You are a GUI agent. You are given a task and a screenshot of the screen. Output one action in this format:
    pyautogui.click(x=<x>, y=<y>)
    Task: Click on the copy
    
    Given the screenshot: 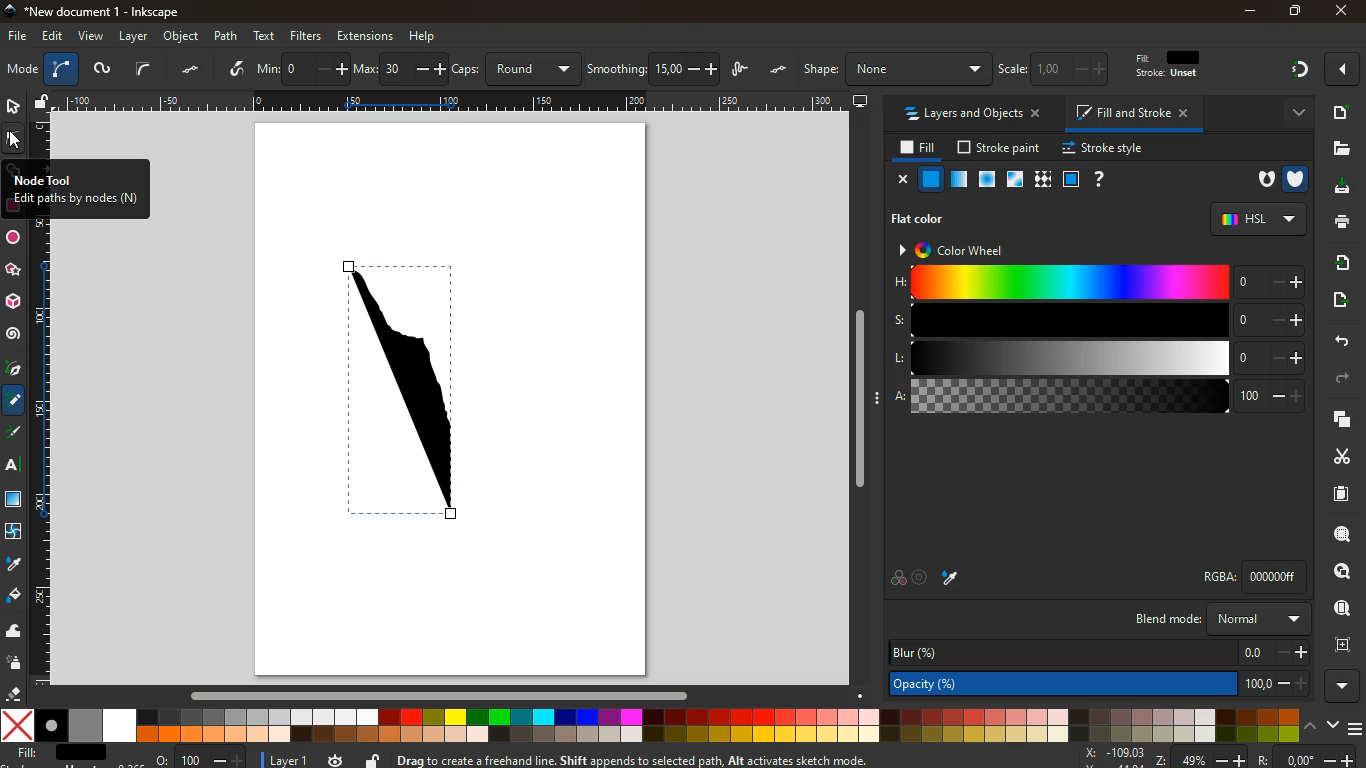 What is the action you would take?
    pyautogui.click(x=1338, y=420)
    